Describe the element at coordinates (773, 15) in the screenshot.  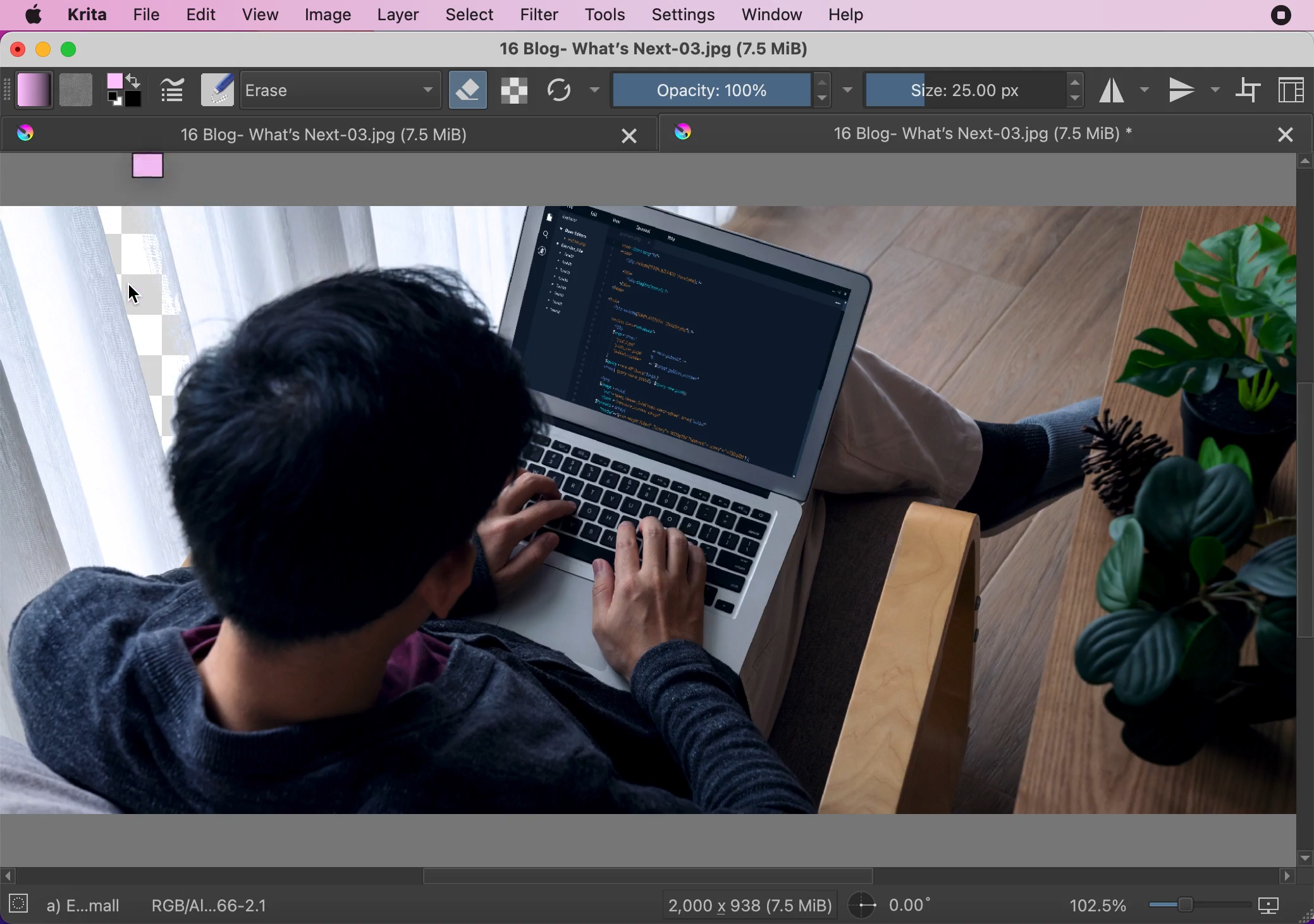
I see `window` at that location.